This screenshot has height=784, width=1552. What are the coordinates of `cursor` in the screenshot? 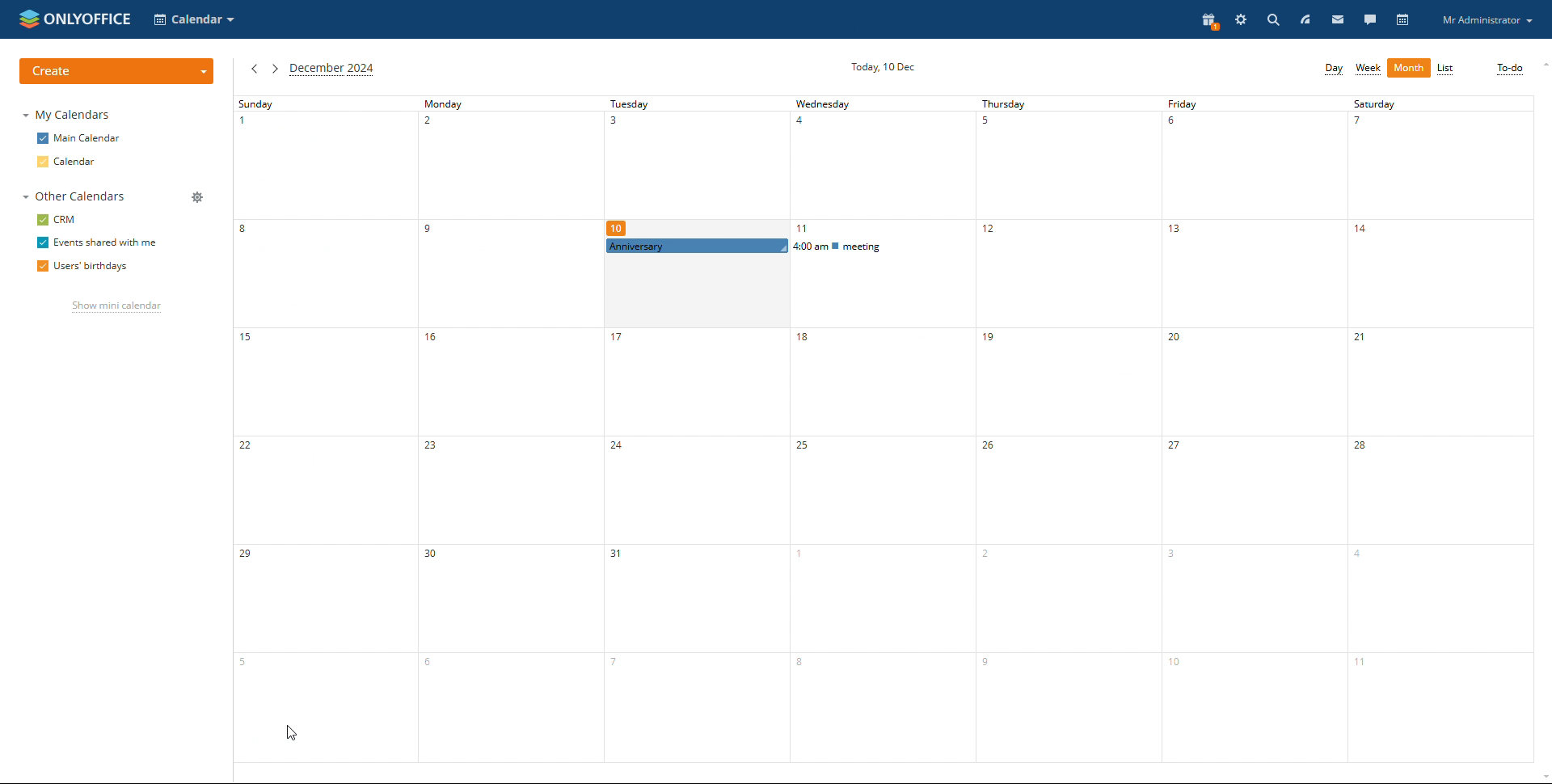 It's located at (293, 734).